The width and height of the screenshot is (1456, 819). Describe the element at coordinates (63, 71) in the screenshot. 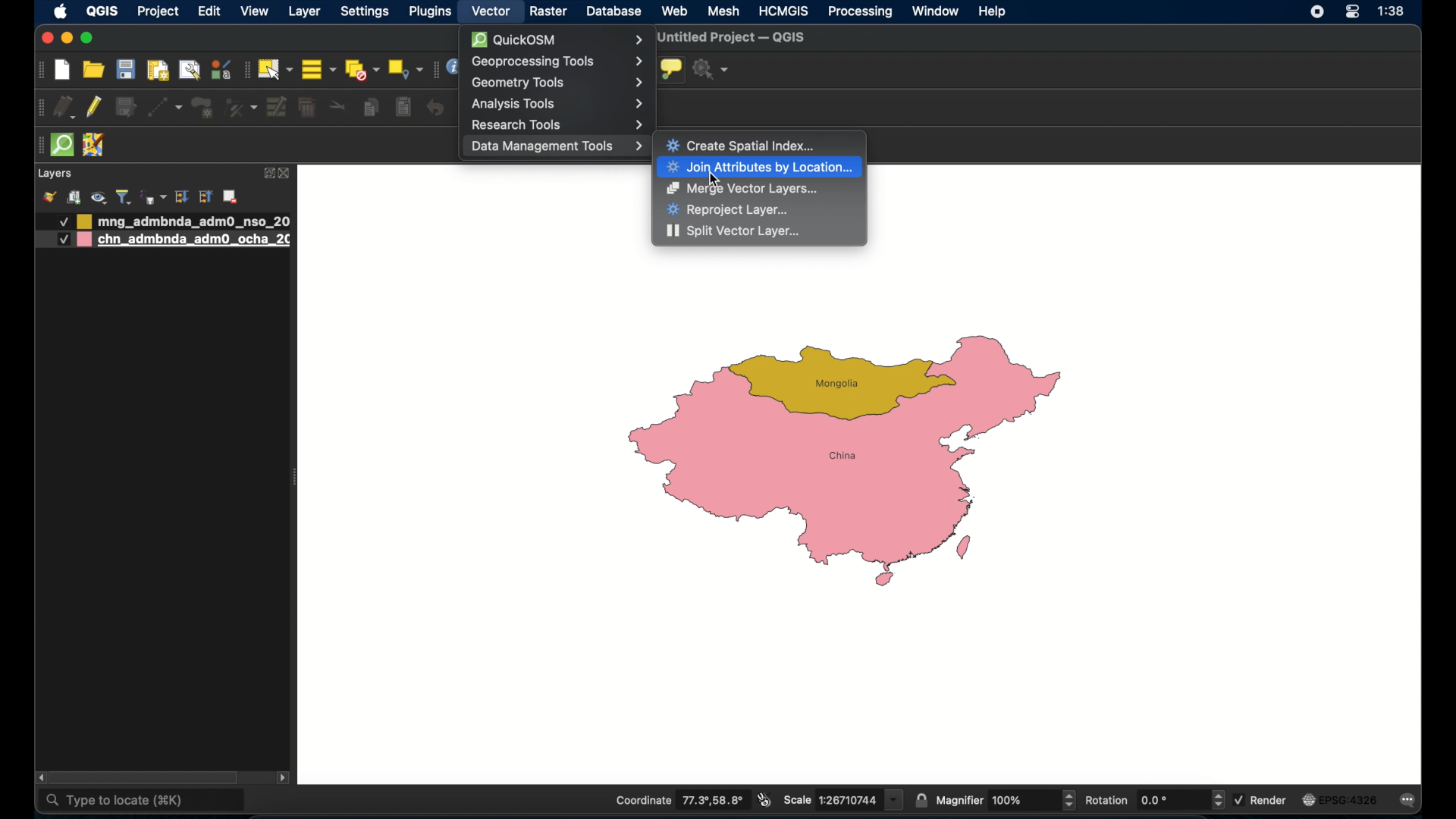

I see `new project` at that location.